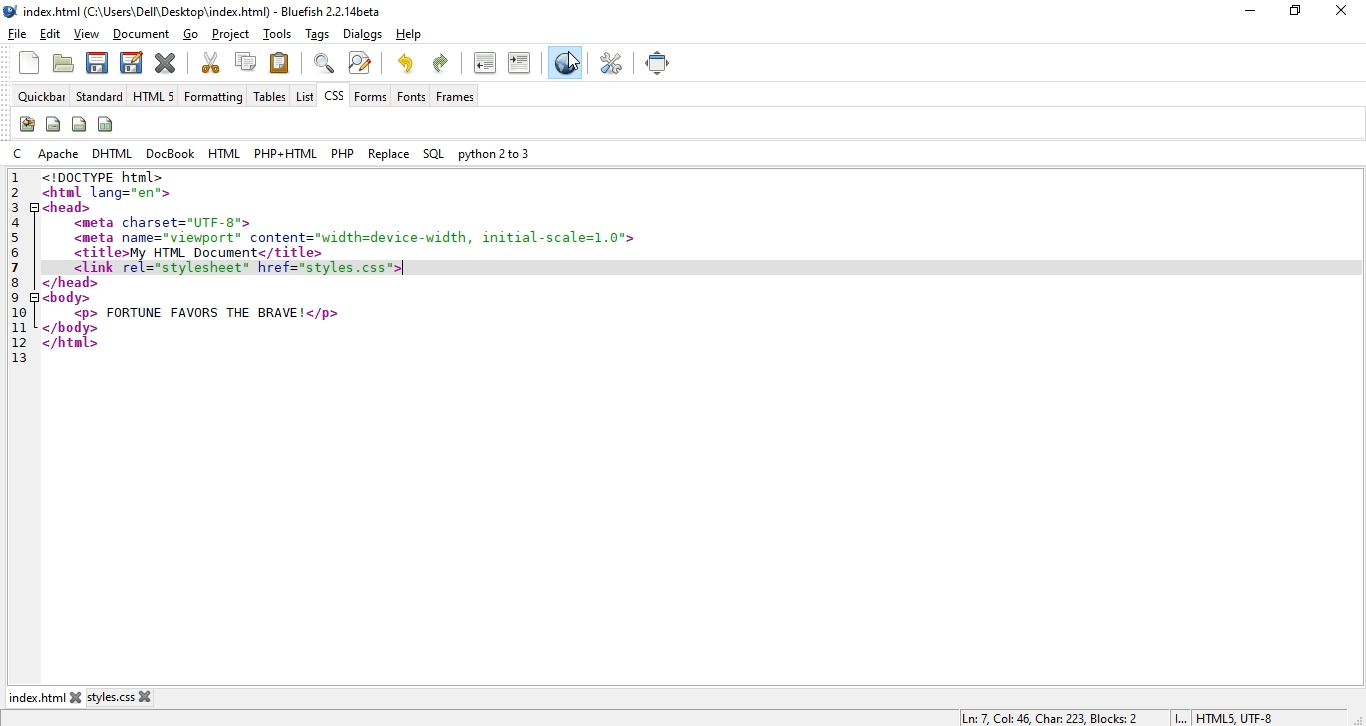  I want to click on save file as, so click(130, 61).